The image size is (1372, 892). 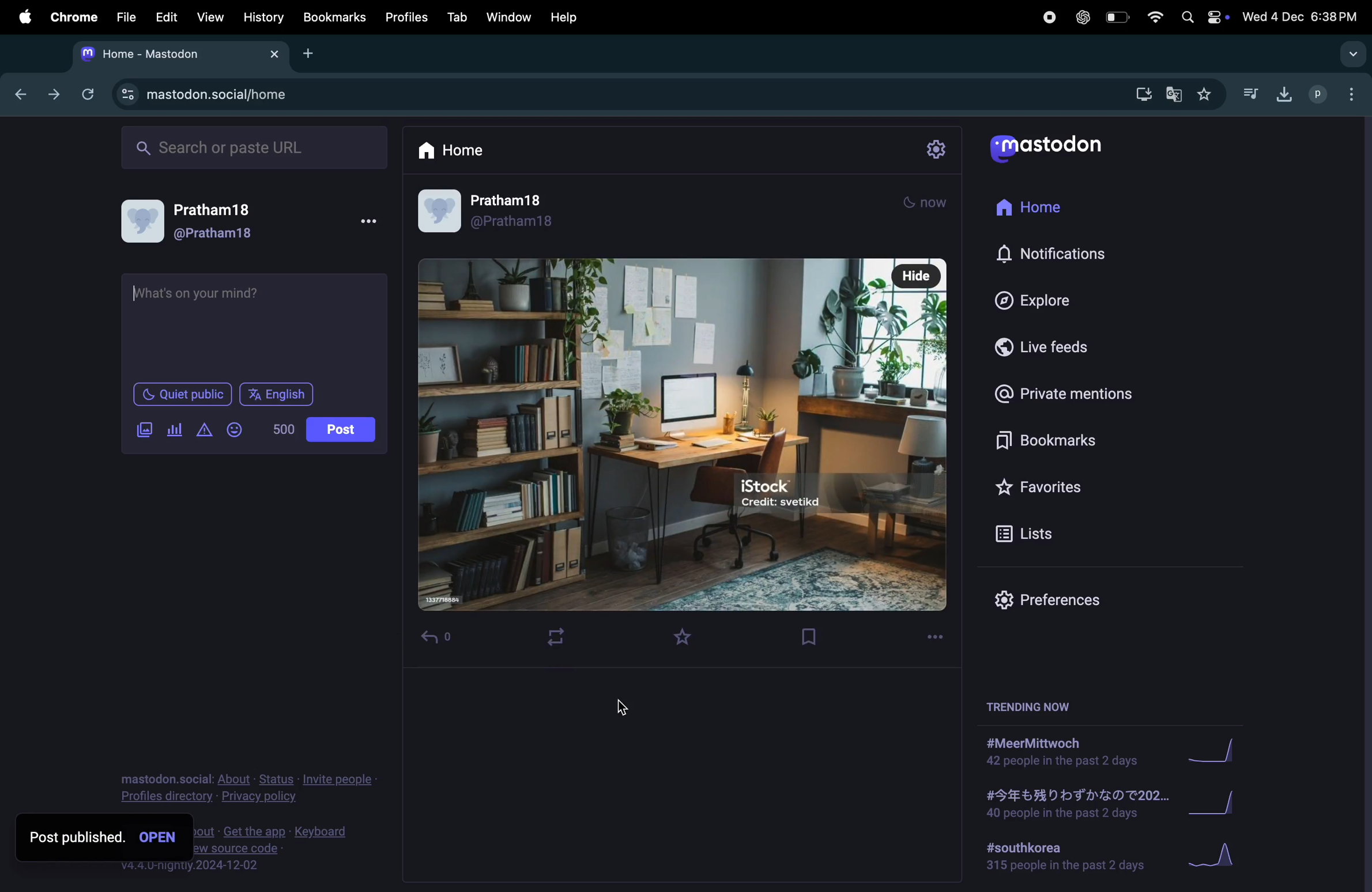 I want to click on download, so click(x=1280, y=92).